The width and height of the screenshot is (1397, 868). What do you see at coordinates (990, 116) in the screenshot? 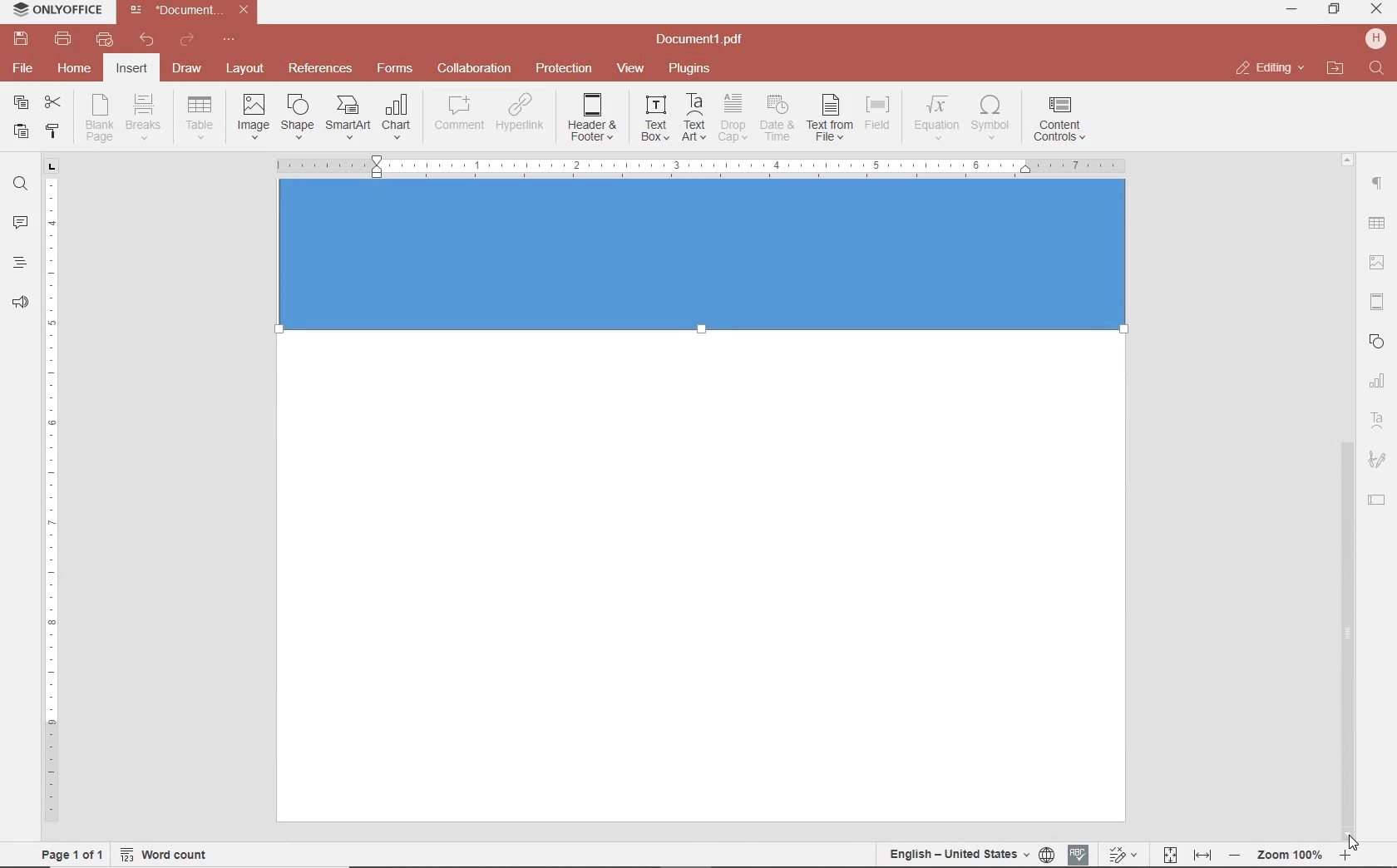
I see `INSERT SYMBOL` at bounding box center [990, 116].